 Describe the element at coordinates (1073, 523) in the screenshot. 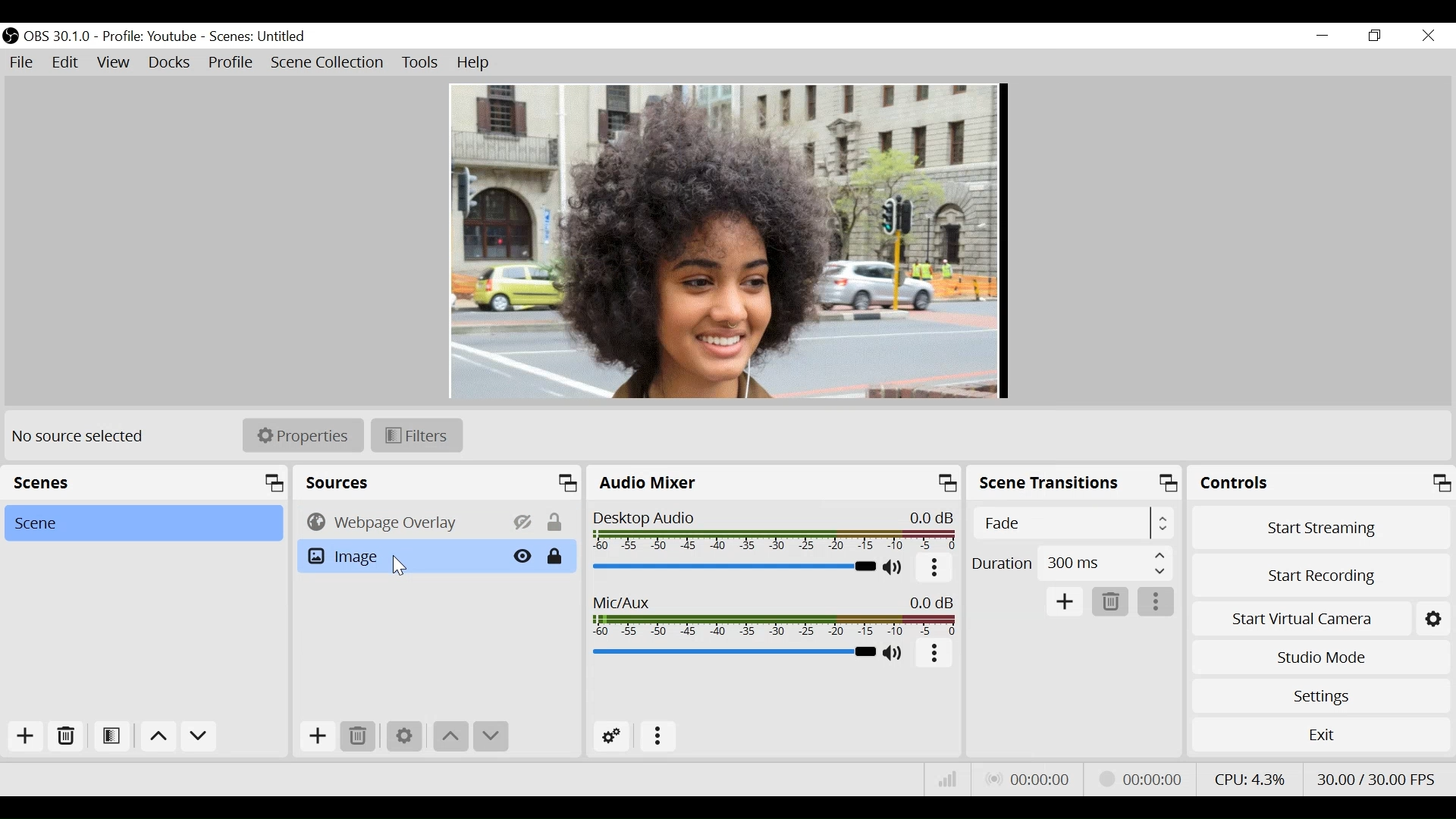

I see `Select Scene Transistion` at that location.